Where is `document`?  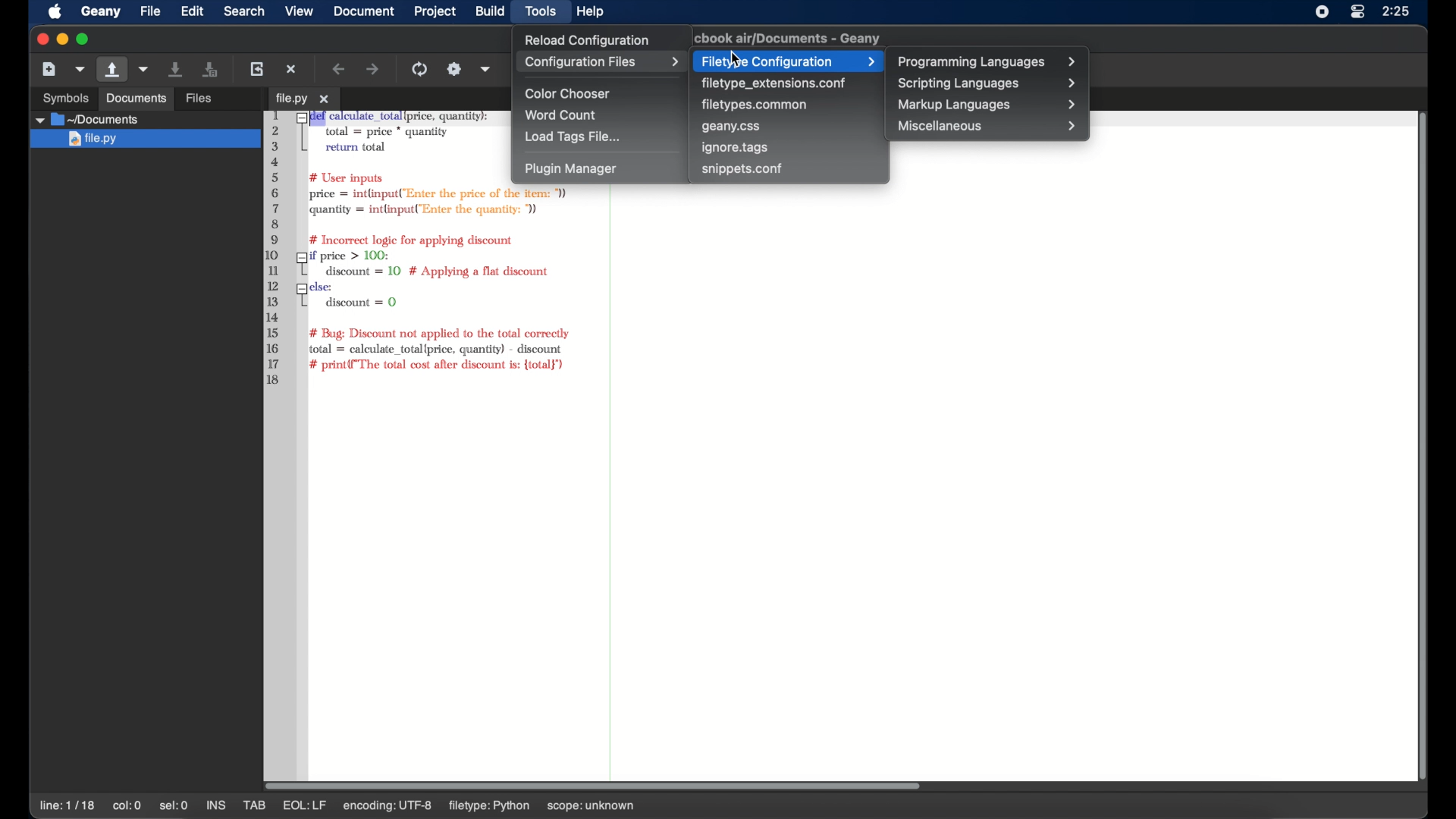 document is located at coordinates (362, 11).